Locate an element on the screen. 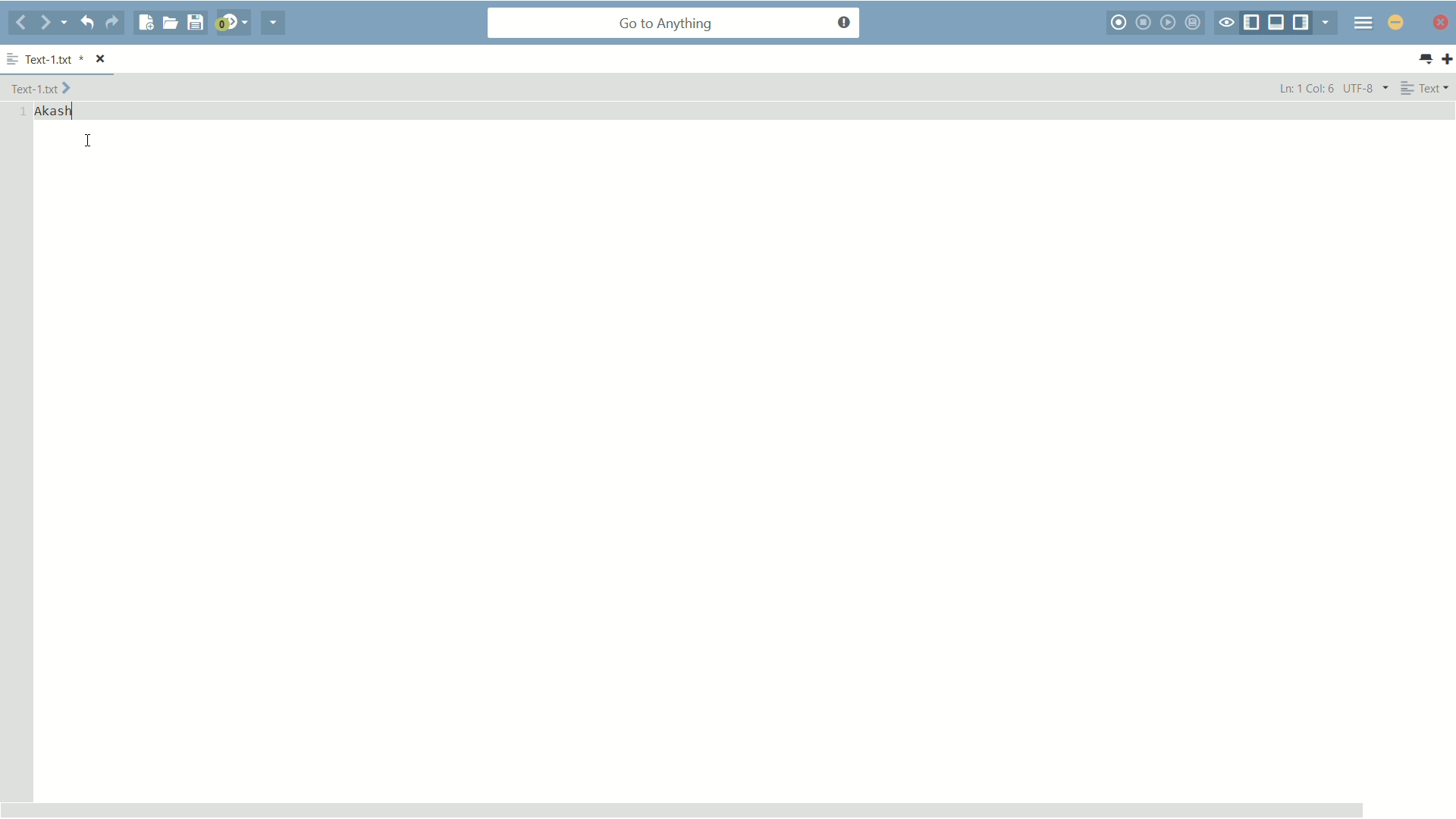  undo is located at coordinates (87, 24).